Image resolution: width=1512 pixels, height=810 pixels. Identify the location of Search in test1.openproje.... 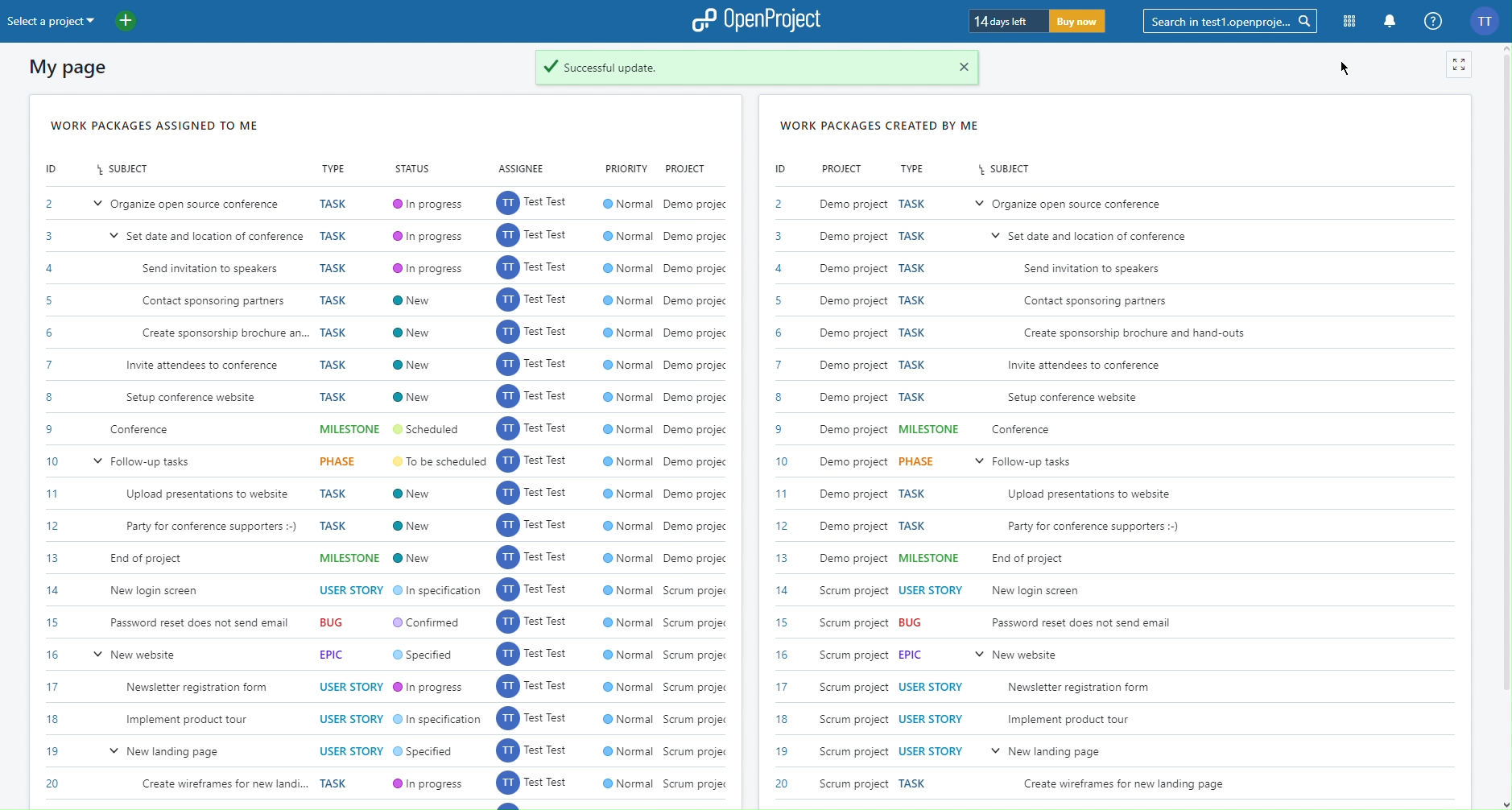
(1235, 22).